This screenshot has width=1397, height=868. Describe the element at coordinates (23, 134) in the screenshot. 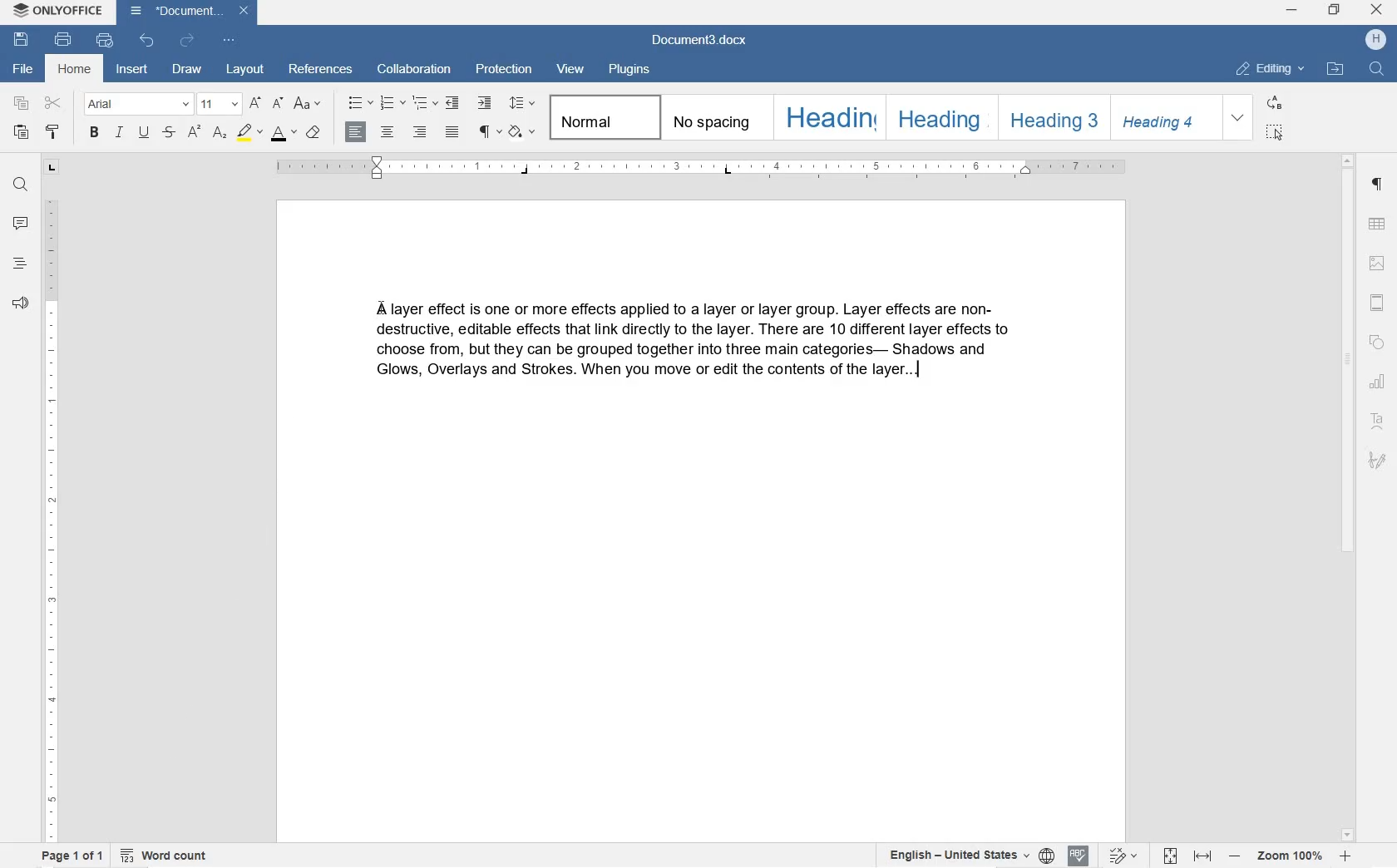

I see `PASTE` at that location.